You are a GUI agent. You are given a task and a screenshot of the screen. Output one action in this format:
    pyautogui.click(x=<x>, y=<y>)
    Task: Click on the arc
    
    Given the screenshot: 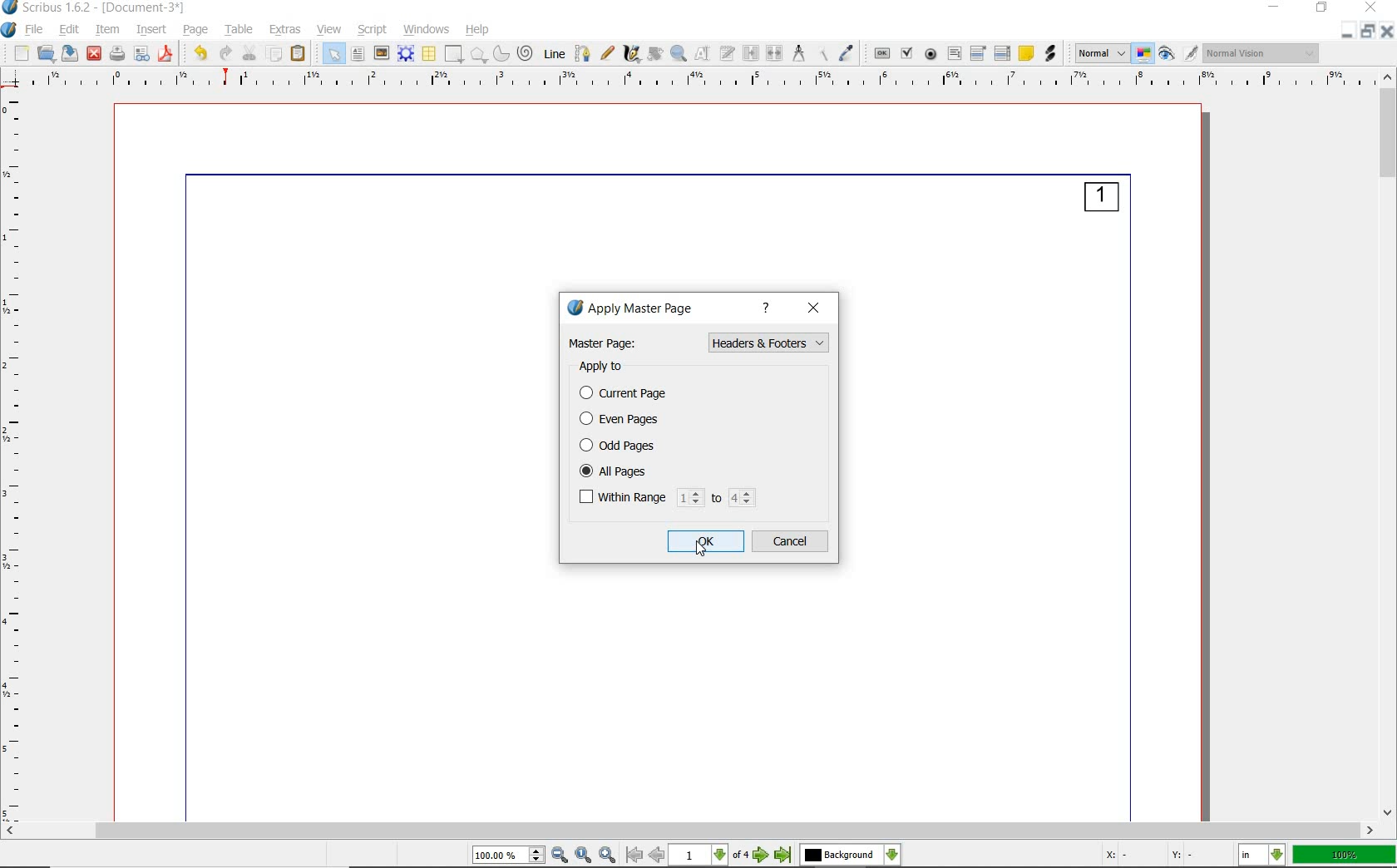 What is the action you would take?
    pyautogui.click(x=503, y=54)
    